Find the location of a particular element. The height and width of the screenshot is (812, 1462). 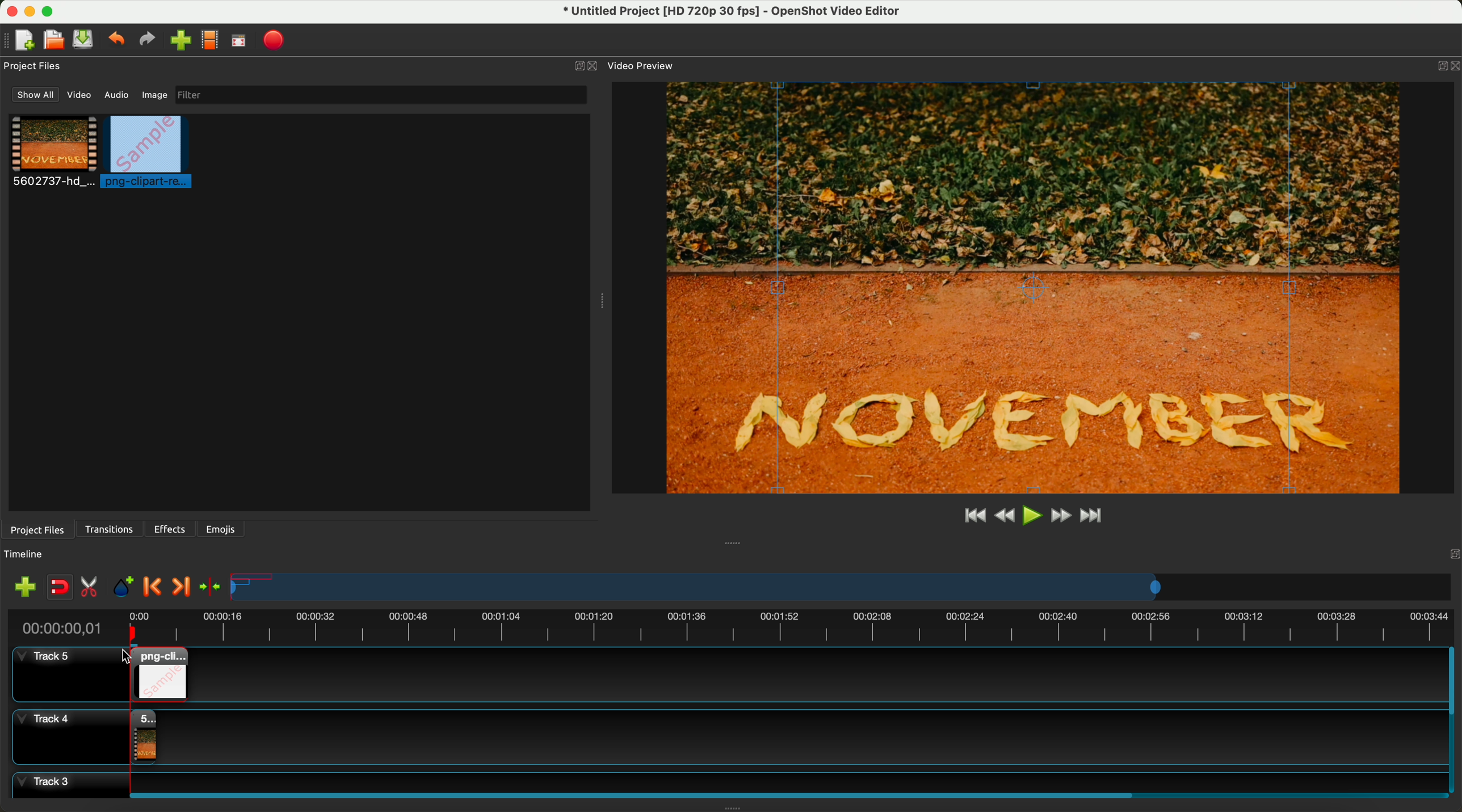

rewind is located at coordinates (1003, 517).